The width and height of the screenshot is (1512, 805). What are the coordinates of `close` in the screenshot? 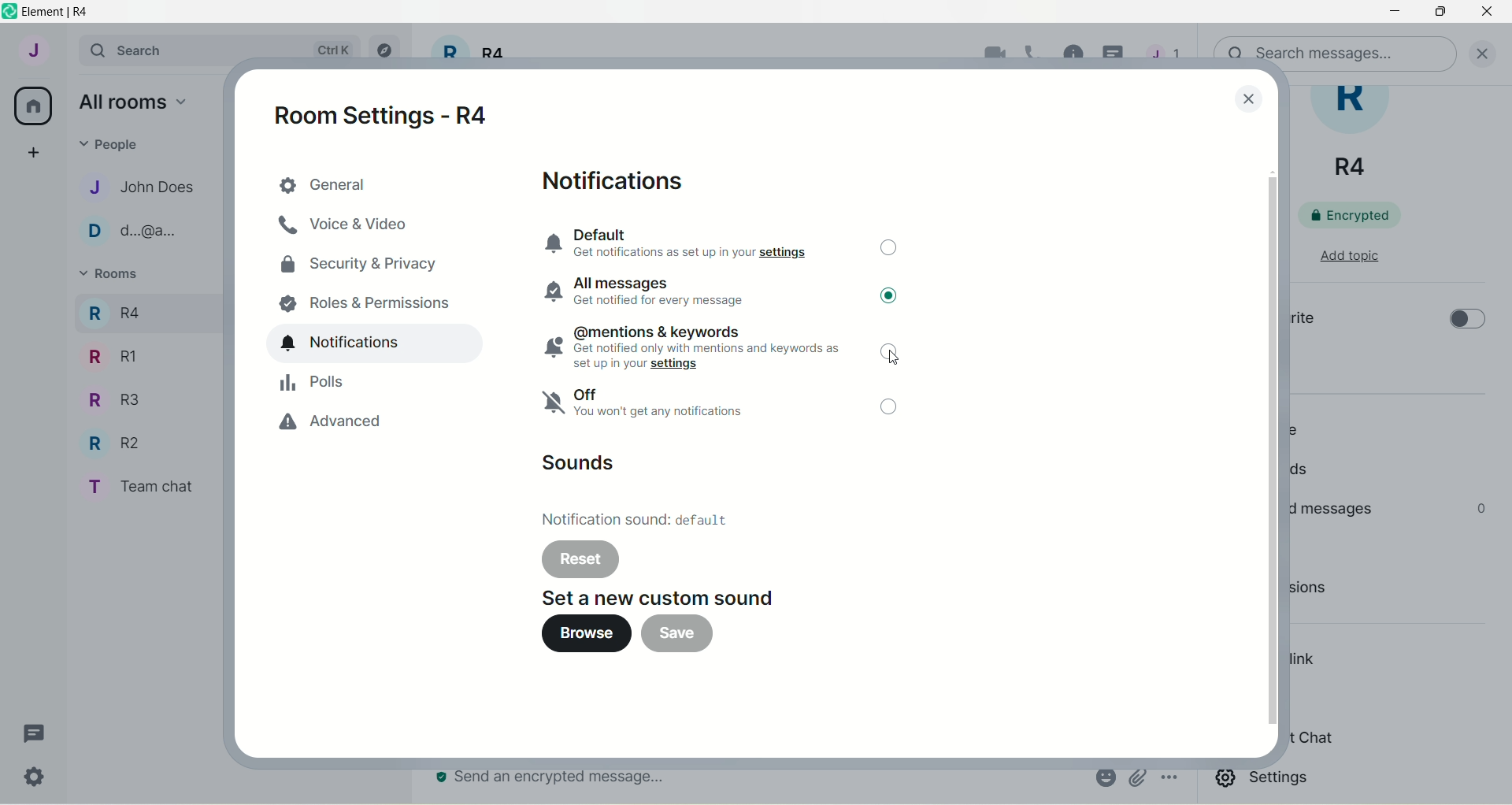 It's located at (1487, 15).